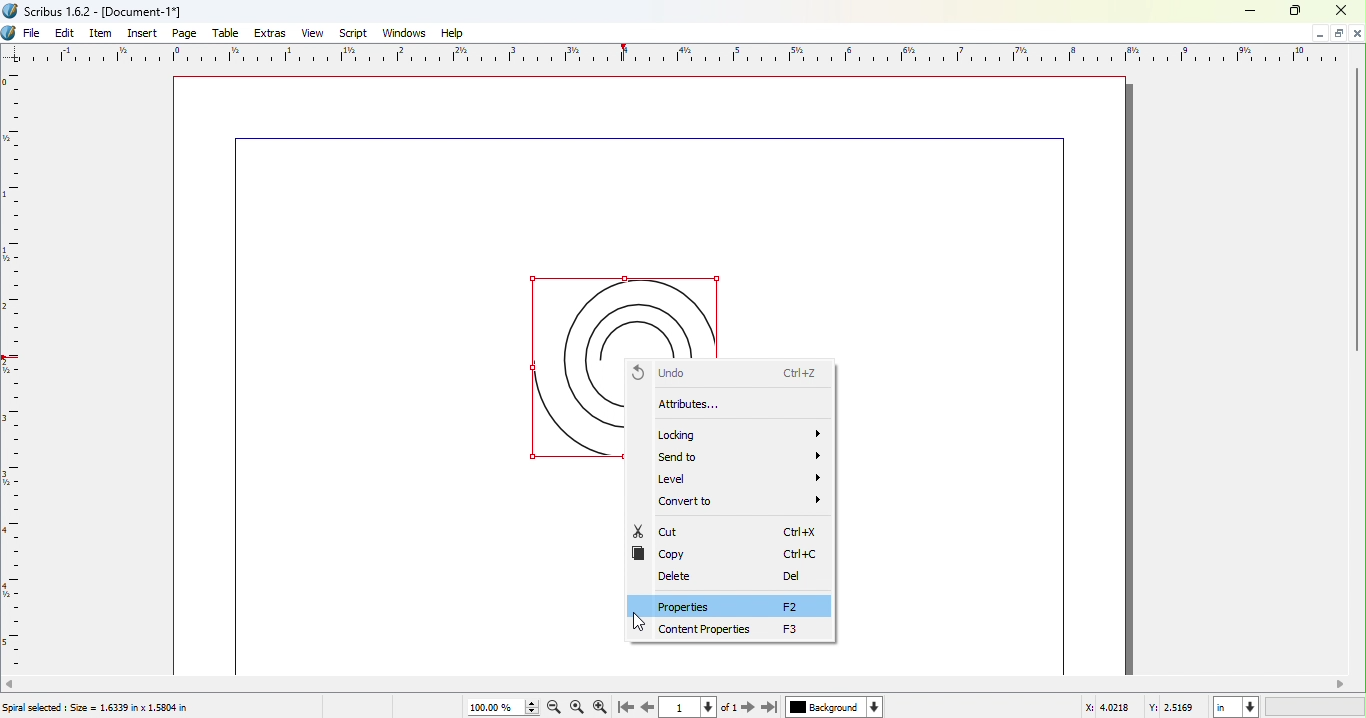 The width and height of the screenshot is (1366, 718). What do you see at coordinates (677, 708) in the screenshot?
I see `current page` at bounding box center [677, 708].